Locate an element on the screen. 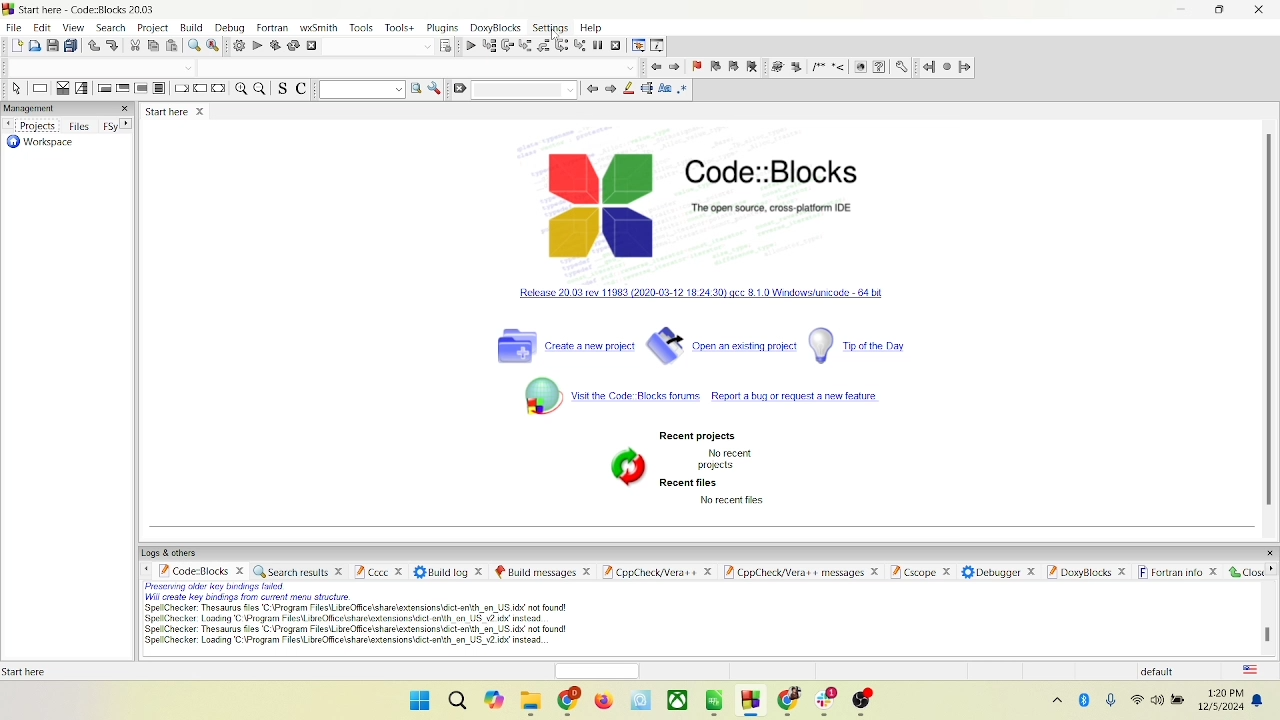  decision is located at coordinates (62, 88).